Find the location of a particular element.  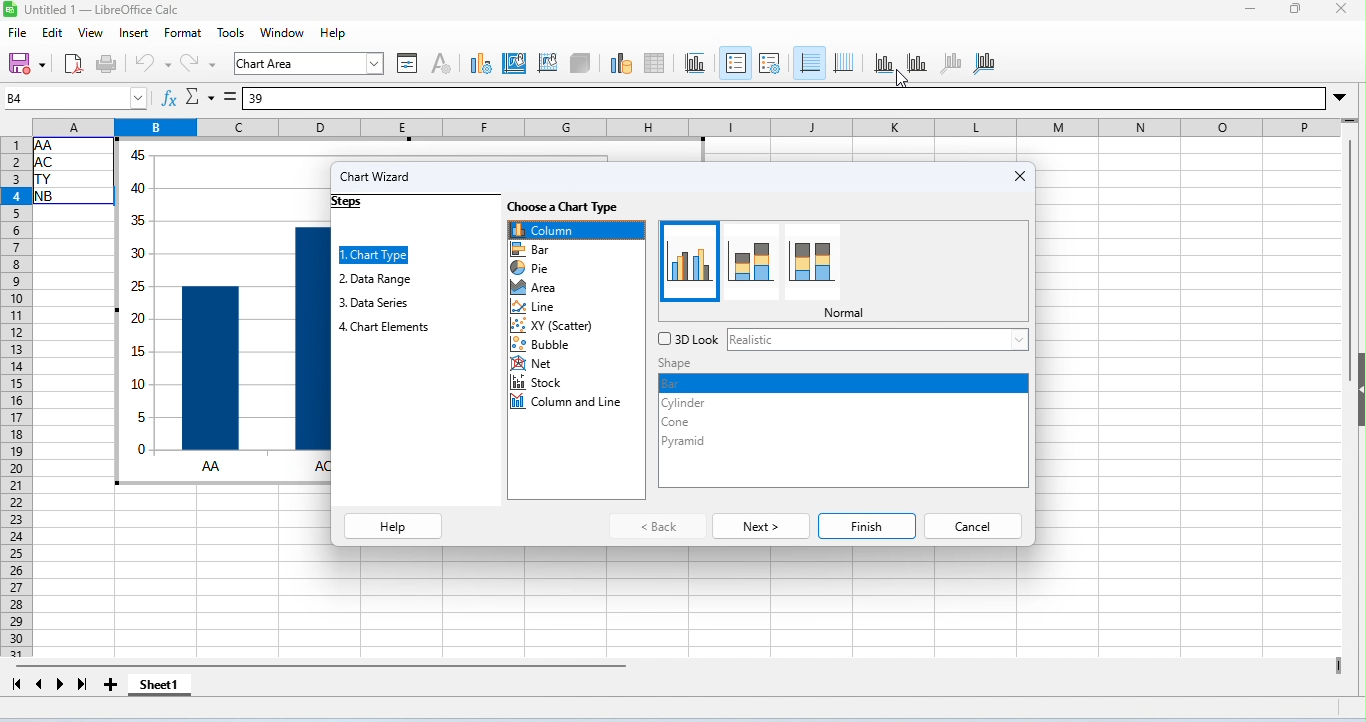

cancel is located at coordinates (974, 526).